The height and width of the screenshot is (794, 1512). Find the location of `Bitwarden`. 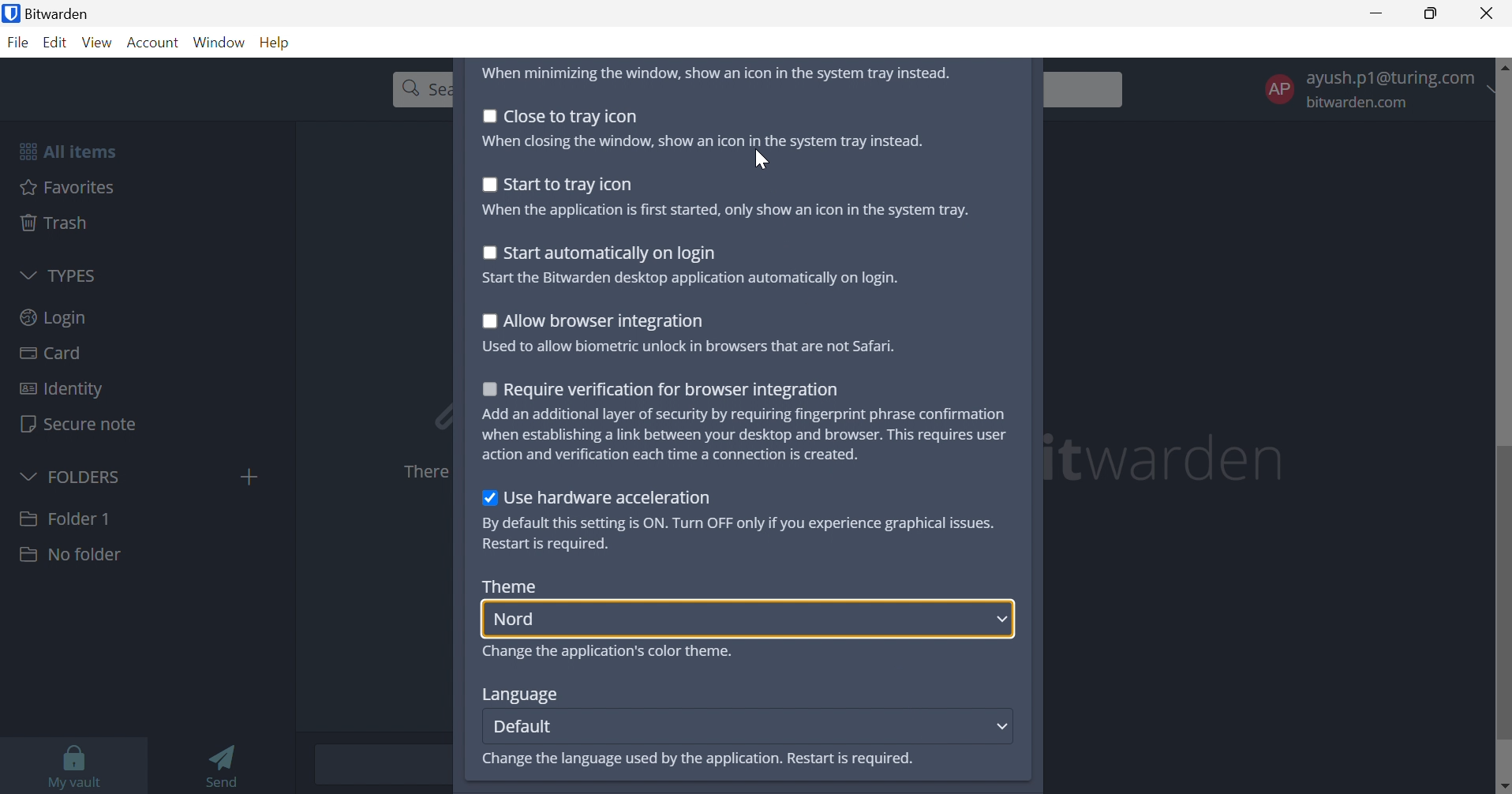

Bitwarden is located at coordinates (63, 13).